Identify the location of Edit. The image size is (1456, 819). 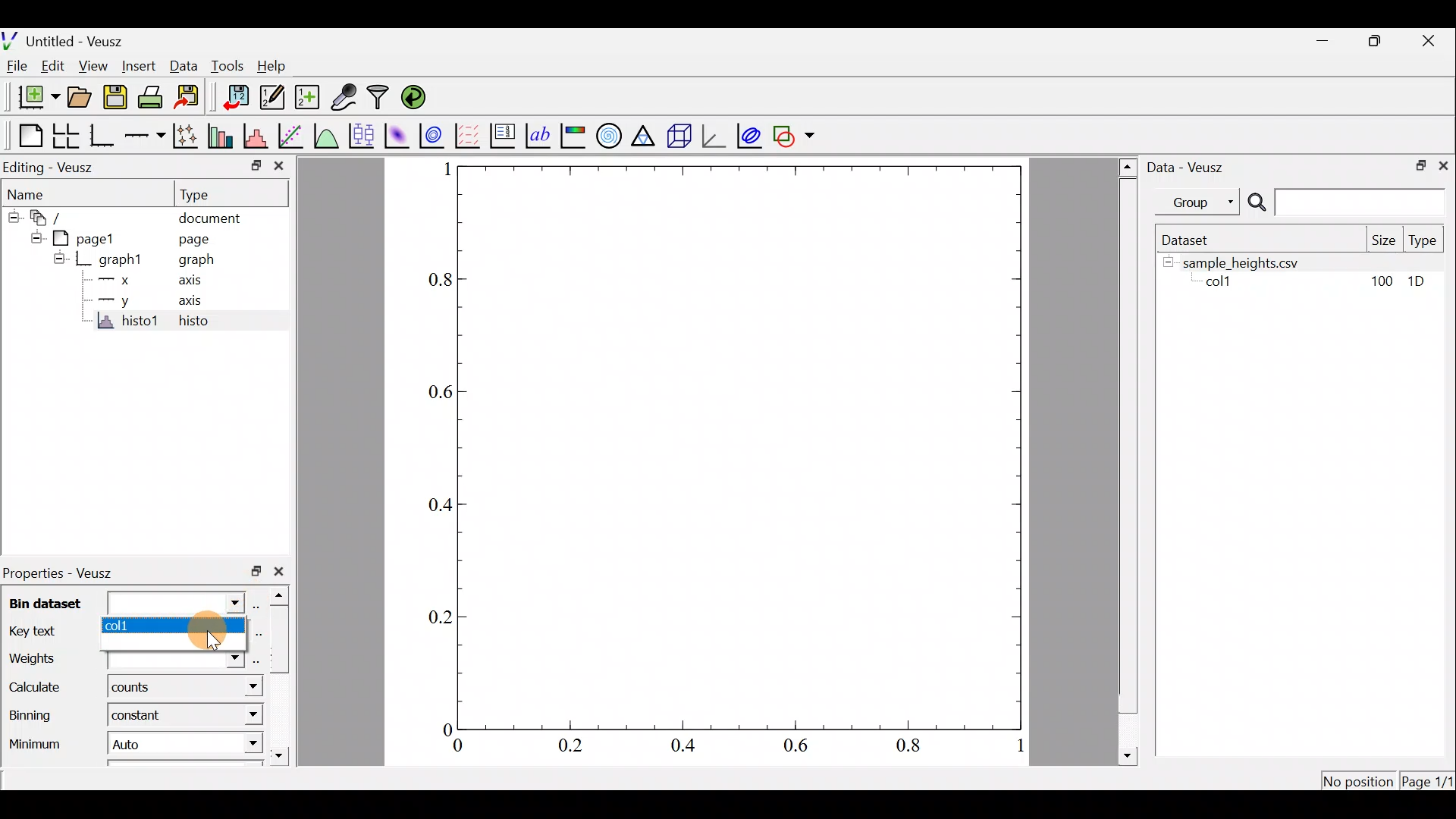
(52, 67).